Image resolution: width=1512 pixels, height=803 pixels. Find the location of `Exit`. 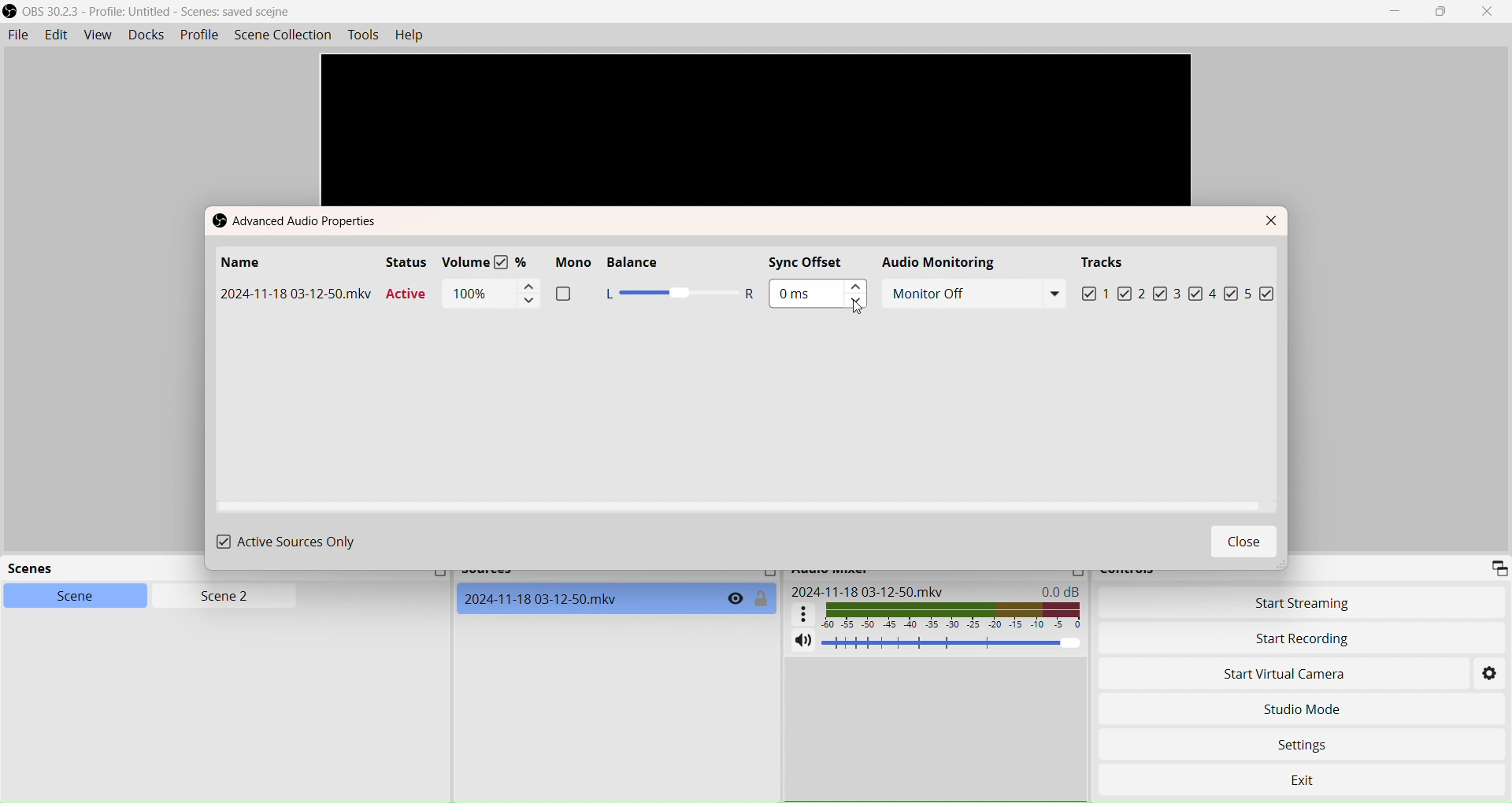

Exit is located at coordinates (1321, 775).